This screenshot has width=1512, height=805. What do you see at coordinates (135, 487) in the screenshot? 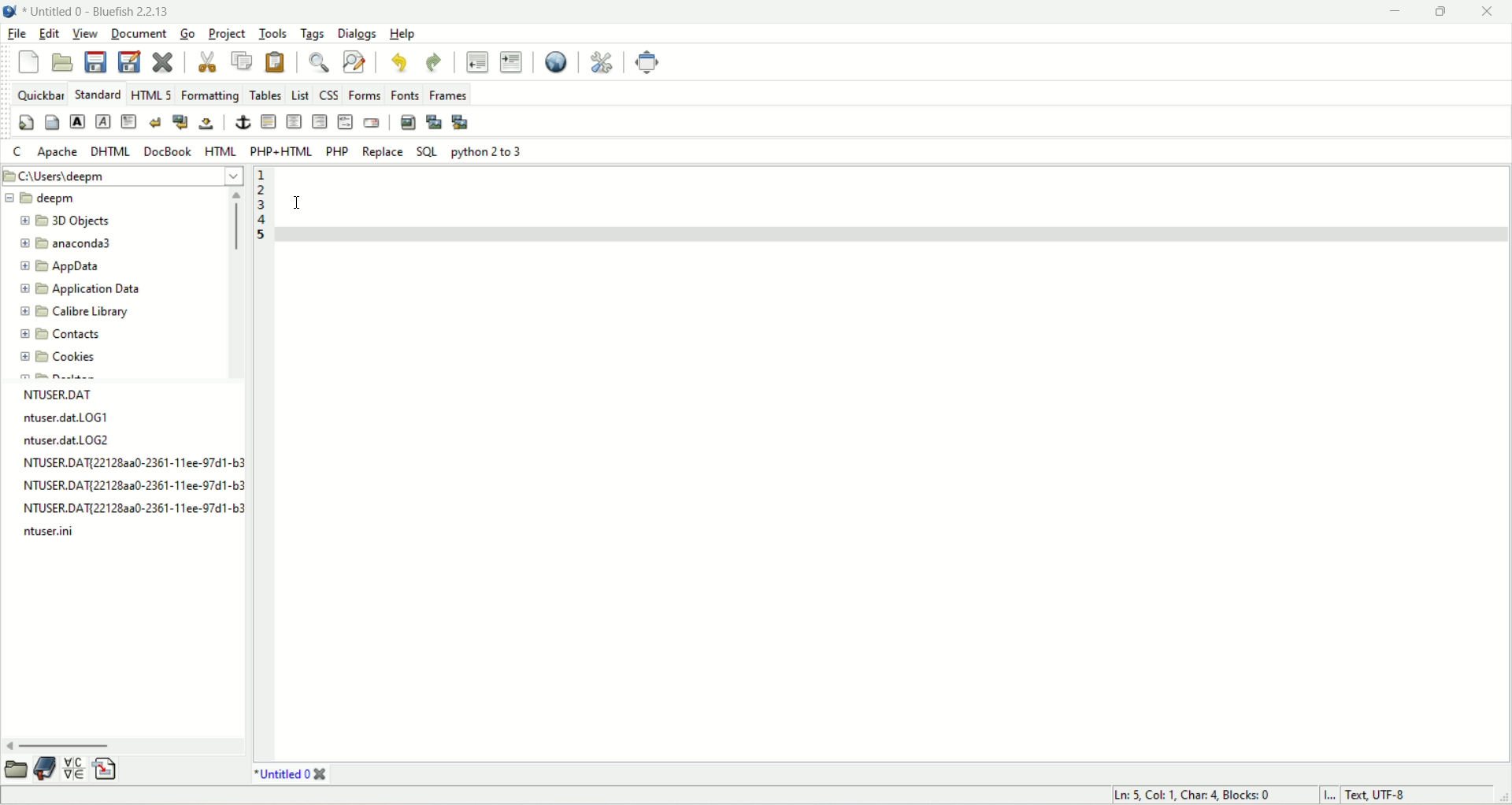
I see `file name` at bounding box center [135, 487].